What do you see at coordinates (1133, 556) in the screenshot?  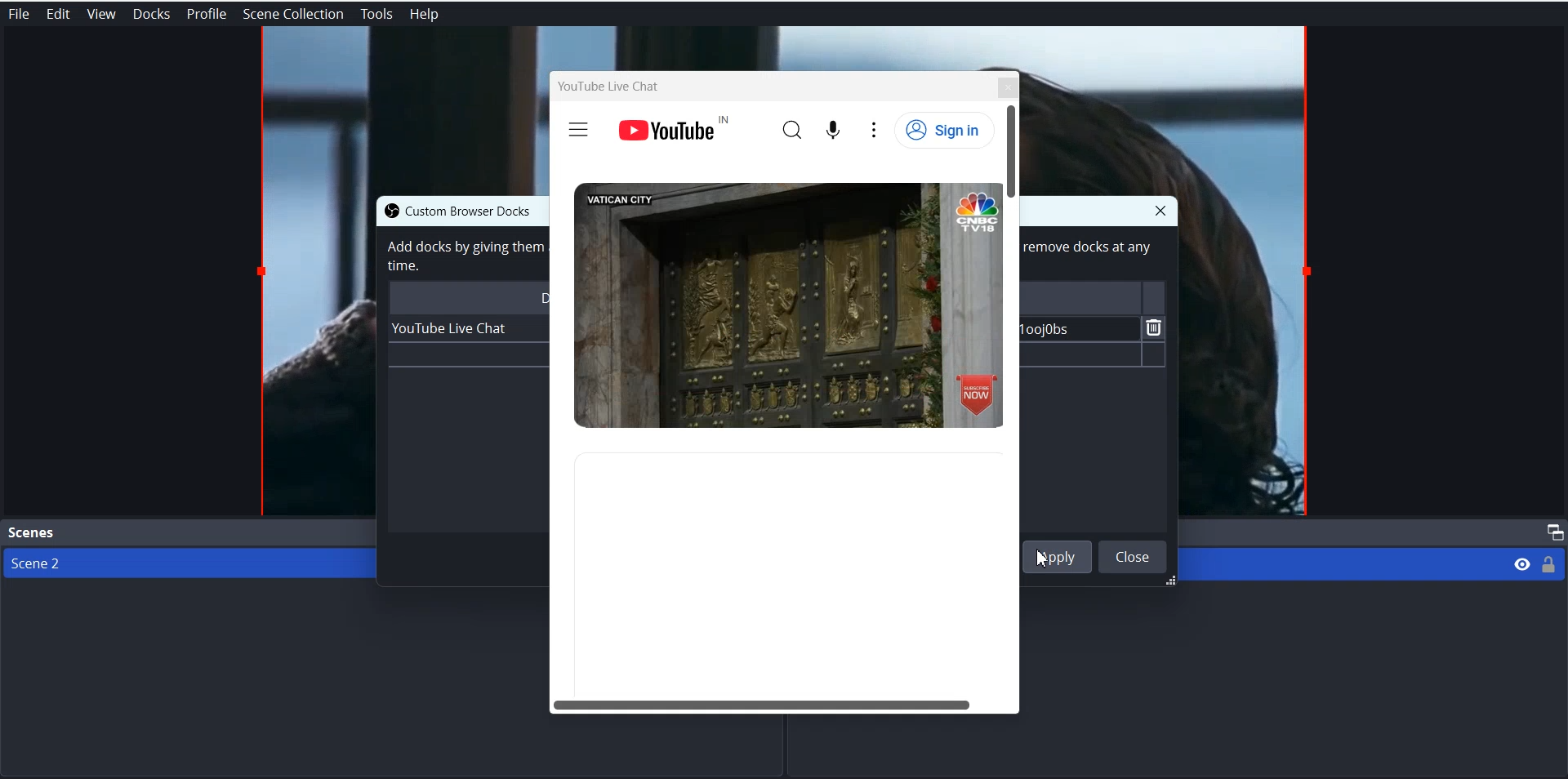 I see `Close` at bounding box center [1133, 556].